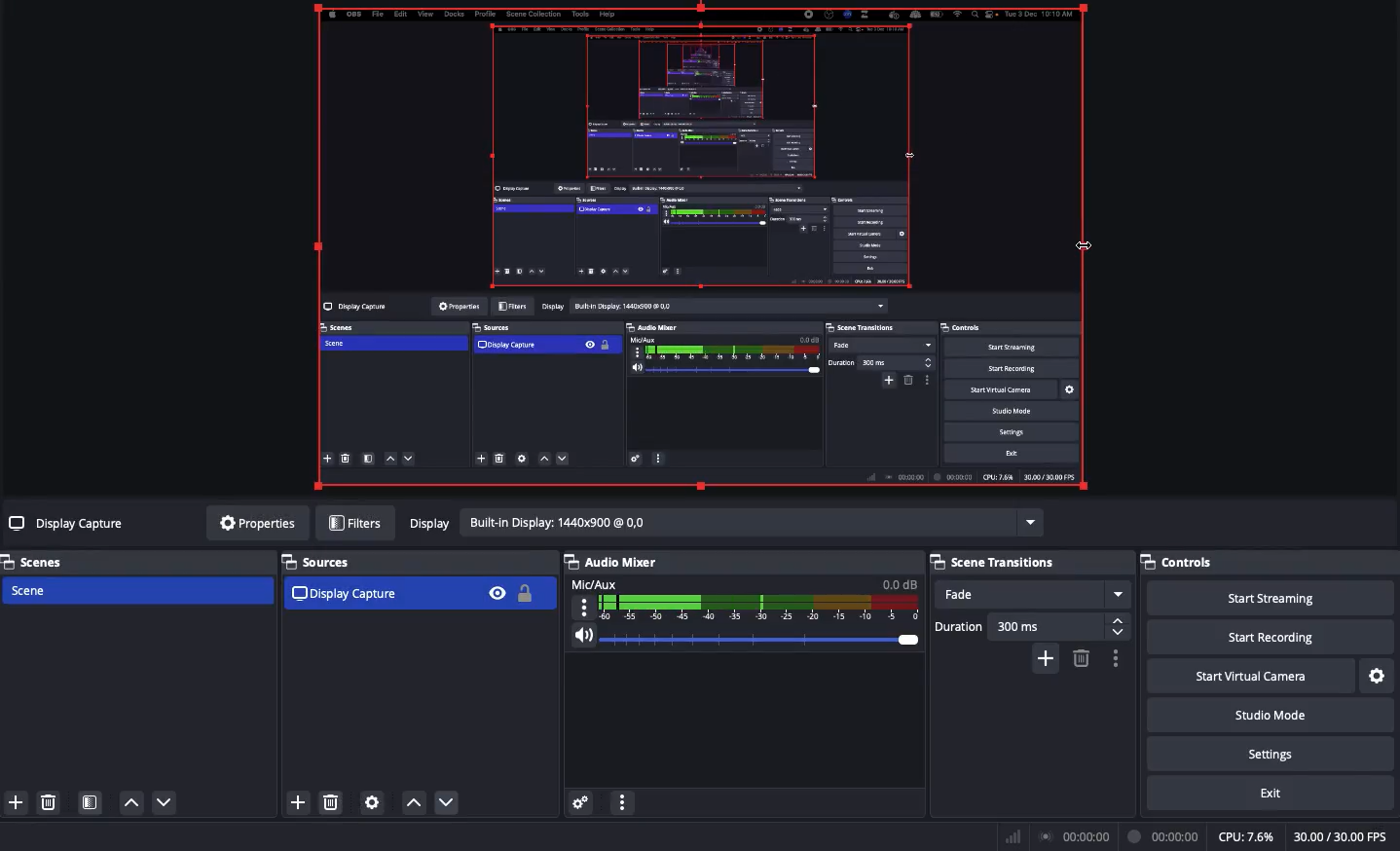  What do you see at coordinates (1269, 751) in the screenshot?
I see `Settings` at bounding box center [1269, 751].